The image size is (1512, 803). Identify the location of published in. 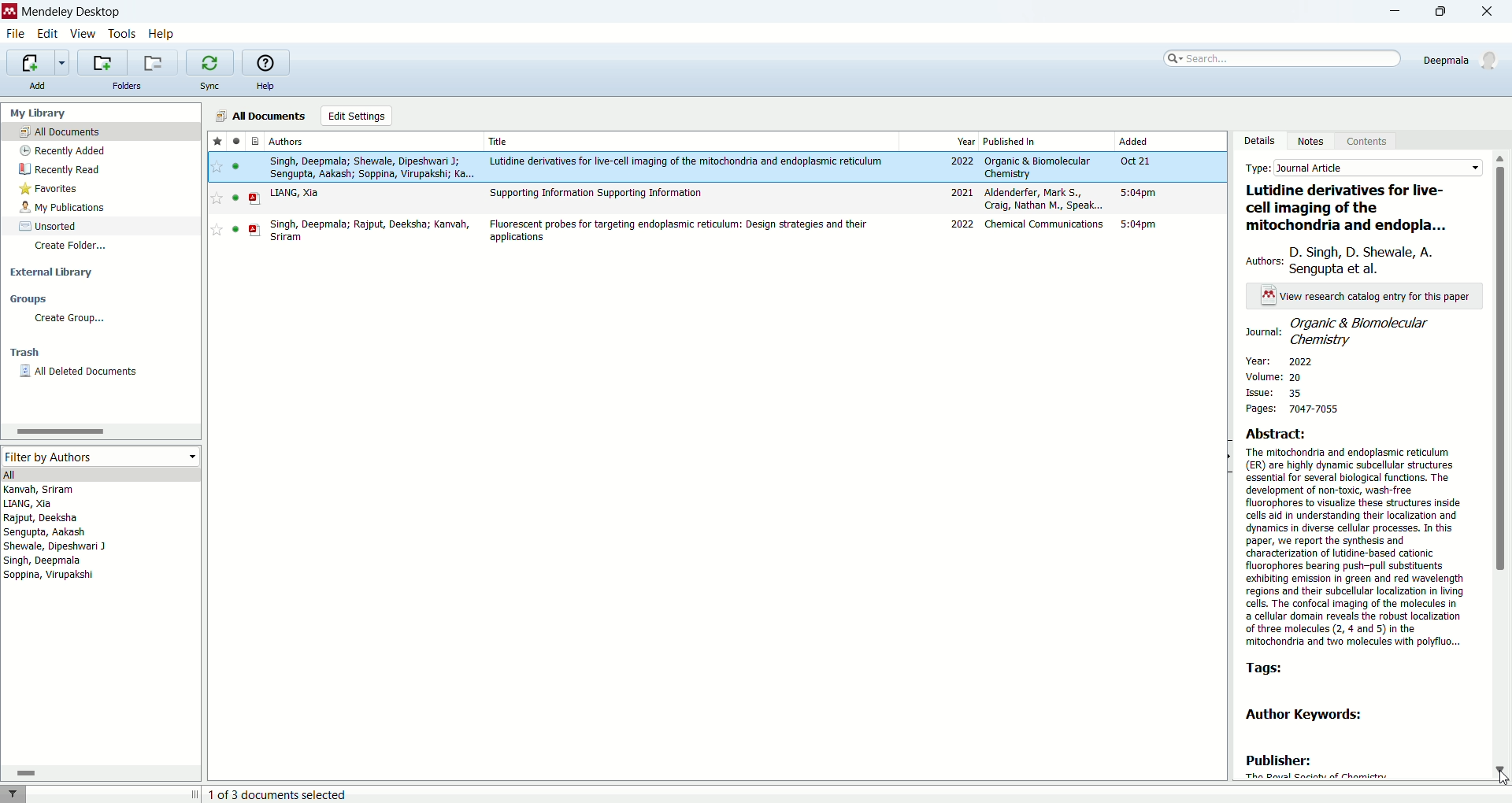
(1010, 141).